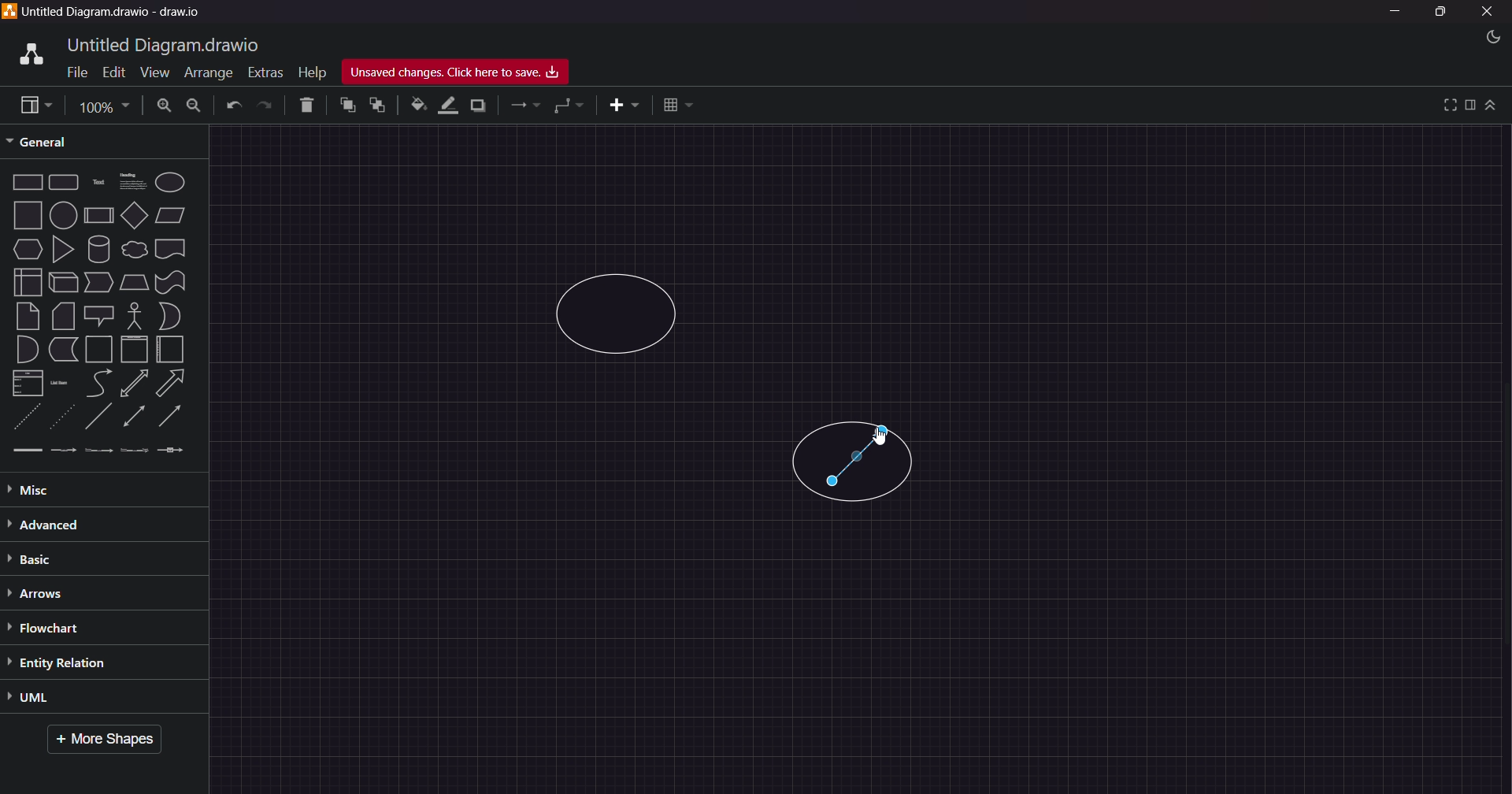 Image resolution: width=1512 pixels, height=794 pixels. What do you see at coordinates (102, 105) in the screenshot?
I see `Page Size` at bounding box center [102, 105].